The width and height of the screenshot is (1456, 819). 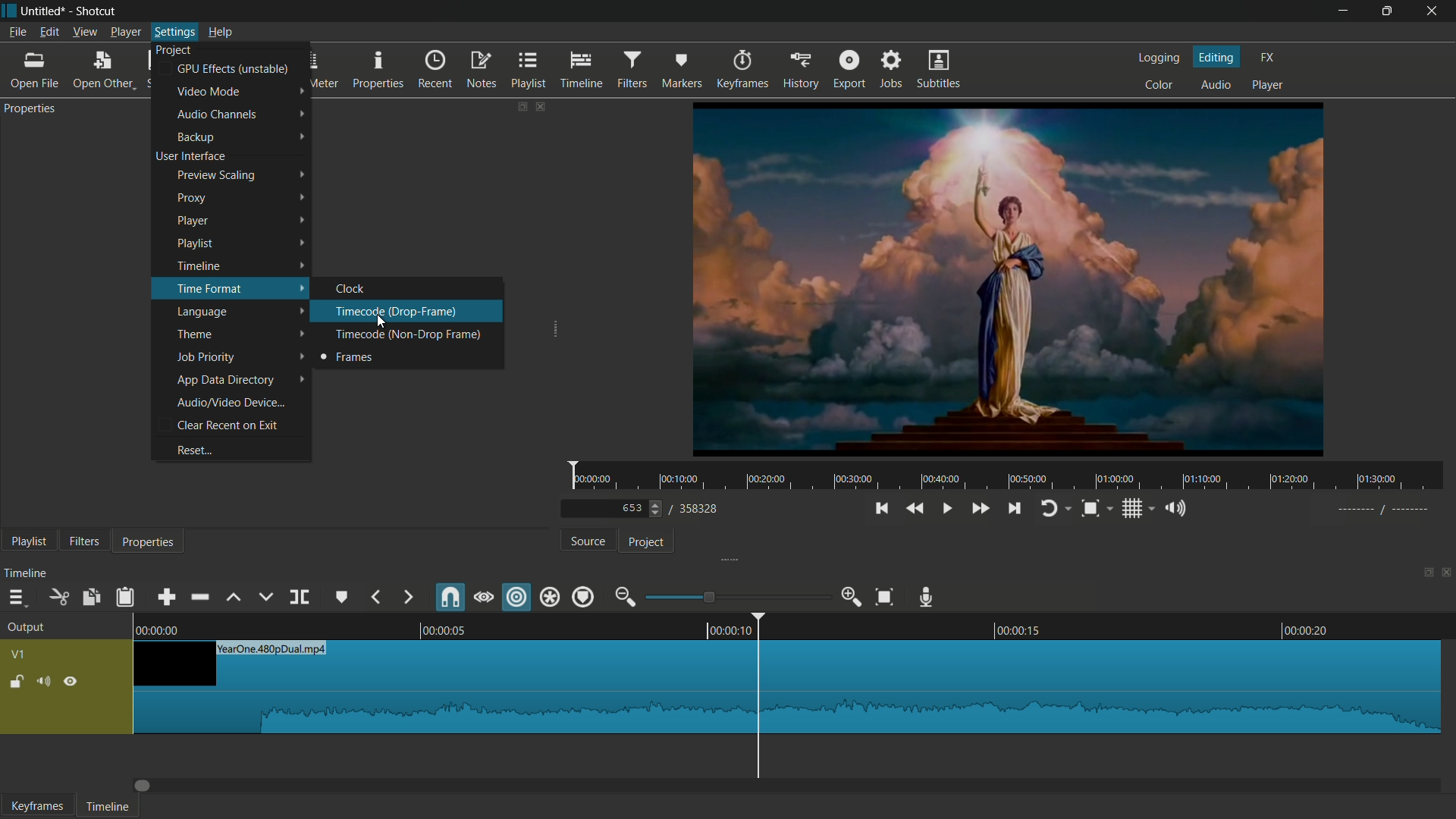 What do you see at coordinates (850, 597) in the screenshot?
I see `zoom in` at bounding box center [850, 597].